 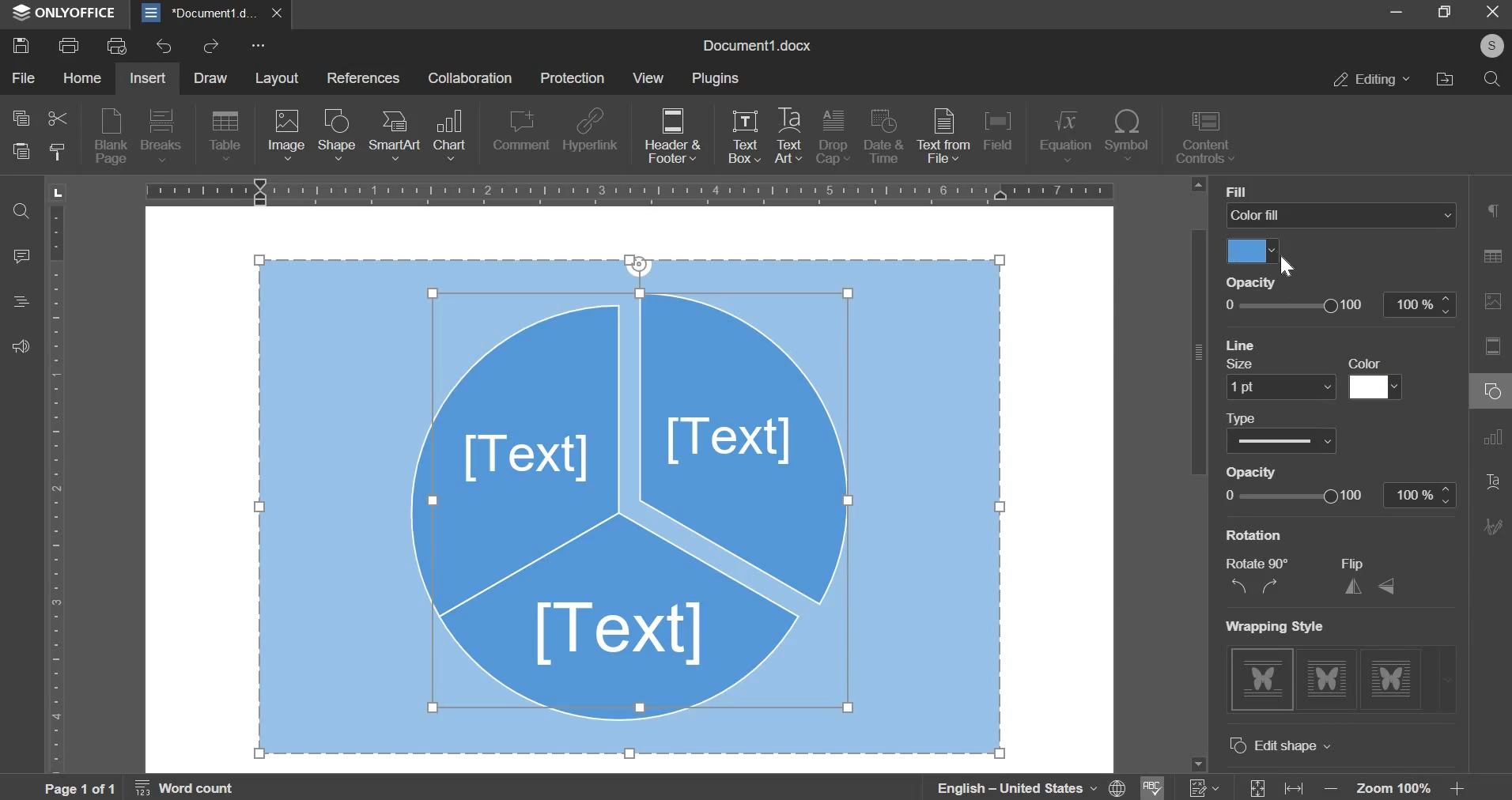 I want to click on , so click(x=1354, y=362).